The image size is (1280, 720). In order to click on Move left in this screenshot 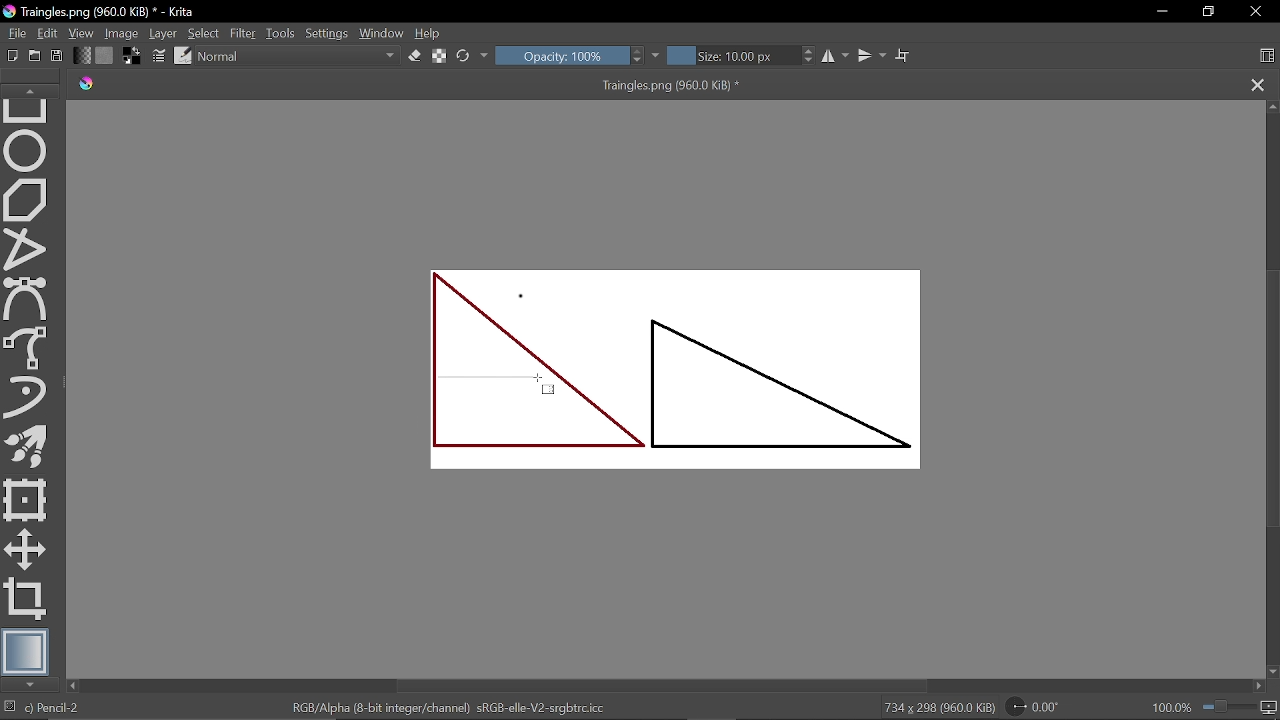, I will do `click(75, 686)`.